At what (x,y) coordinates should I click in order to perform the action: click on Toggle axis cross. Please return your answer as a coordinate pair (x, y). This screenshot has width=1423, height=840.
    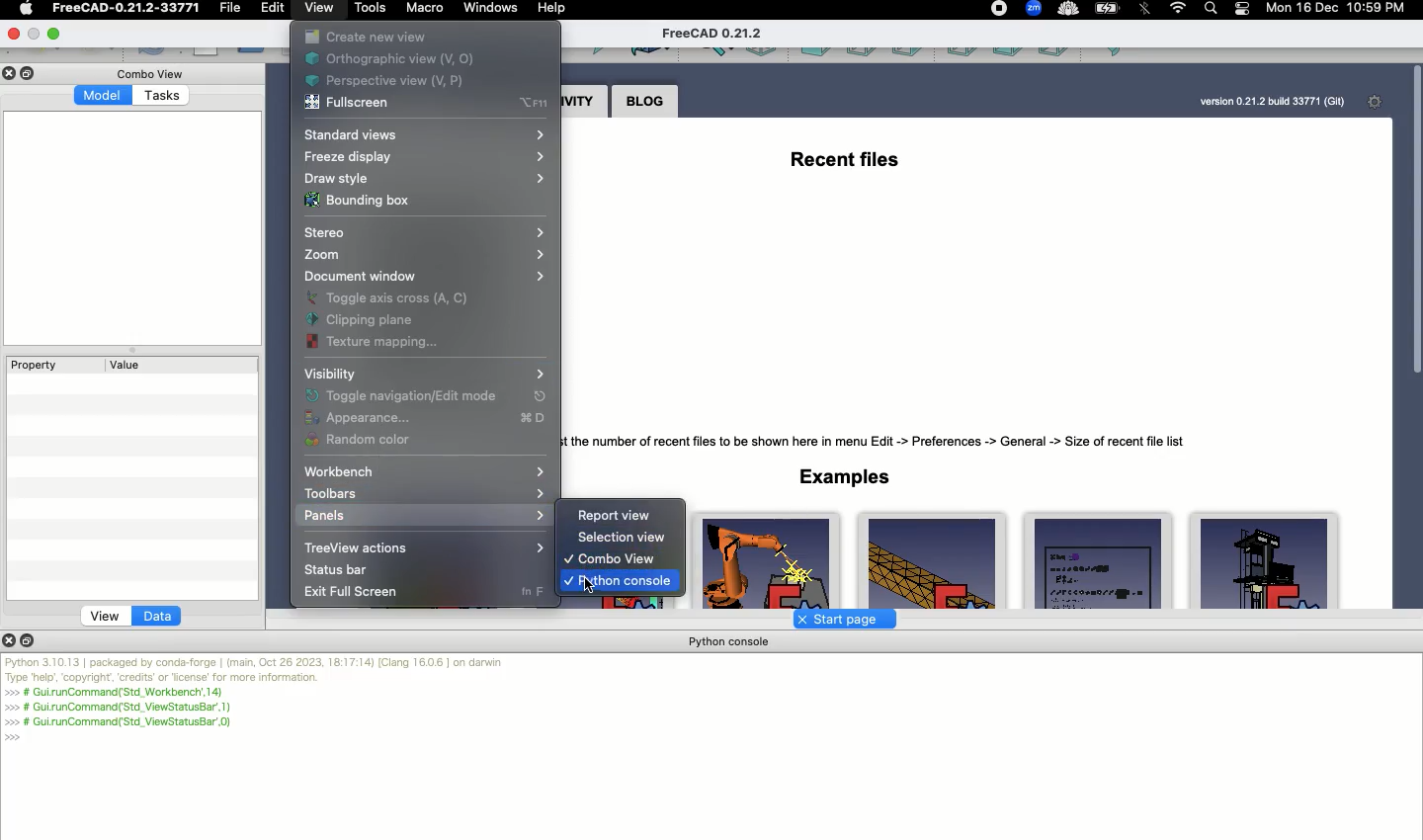
    Looking at the image, I should click on (406, 297).